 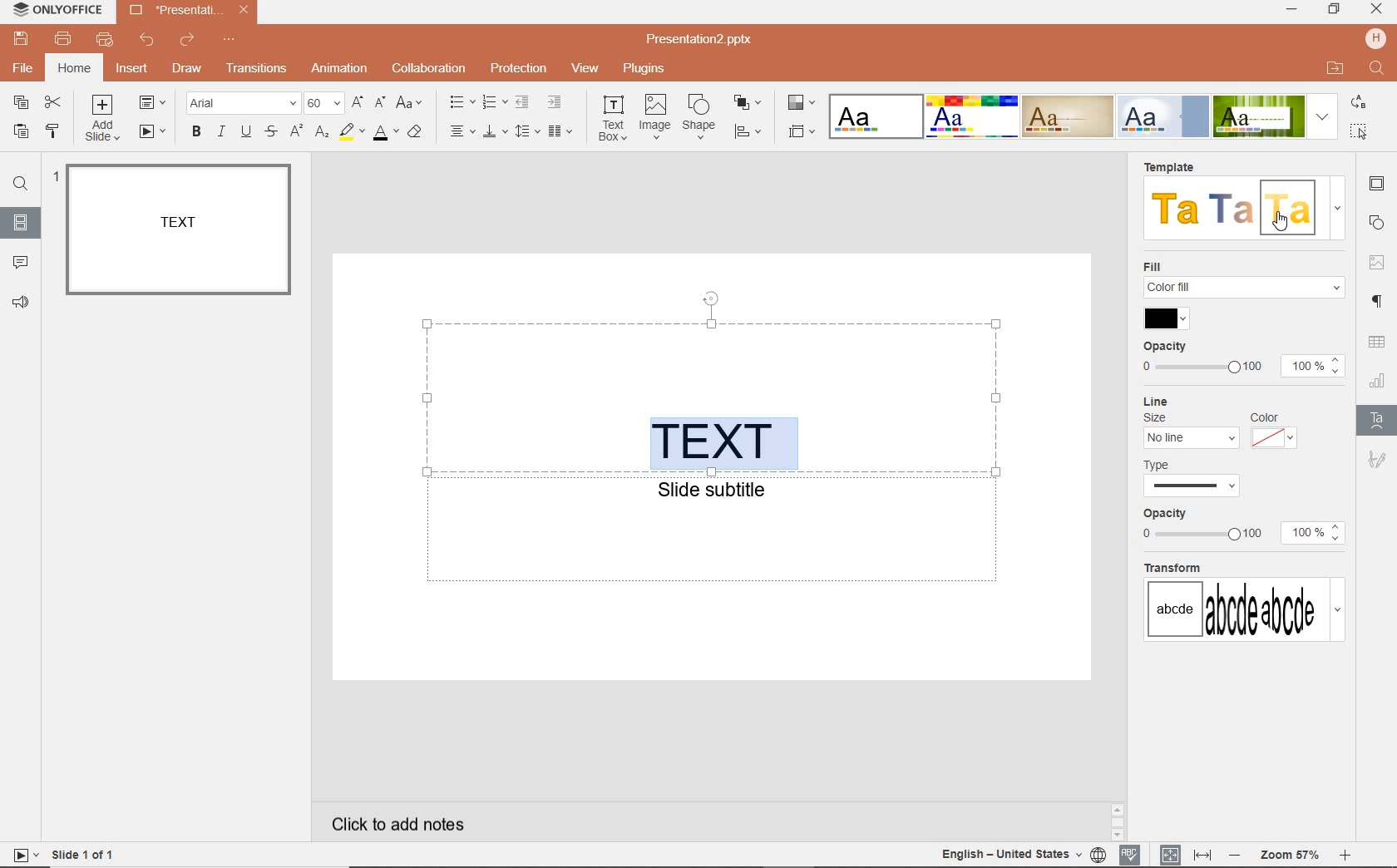 What do you see at coordinates (1166, 856) in the screenshot?
I see `fit to slide` at bounding box center [1166, 856].